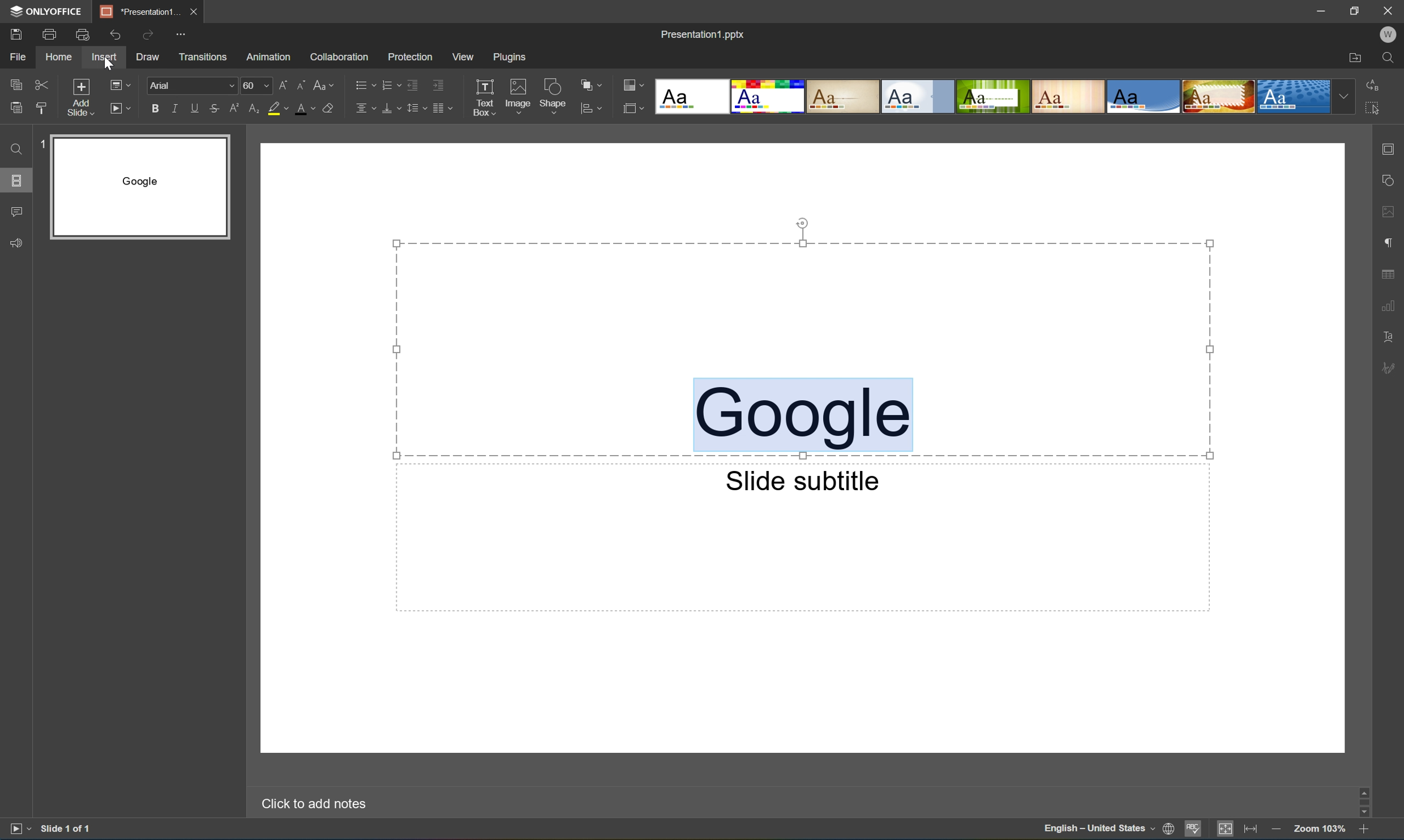  I want to click on Image settings, so click(1391, 213).